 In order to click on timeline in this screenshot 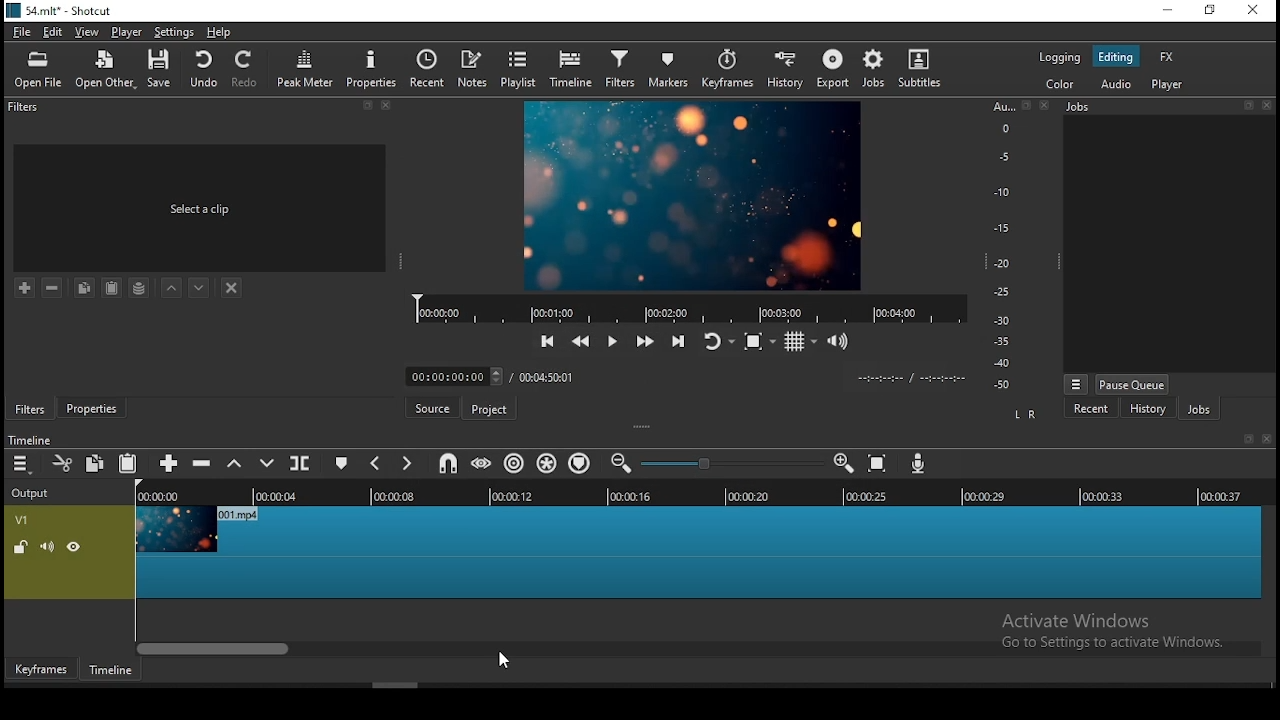, I will do `click(111, 670)`.